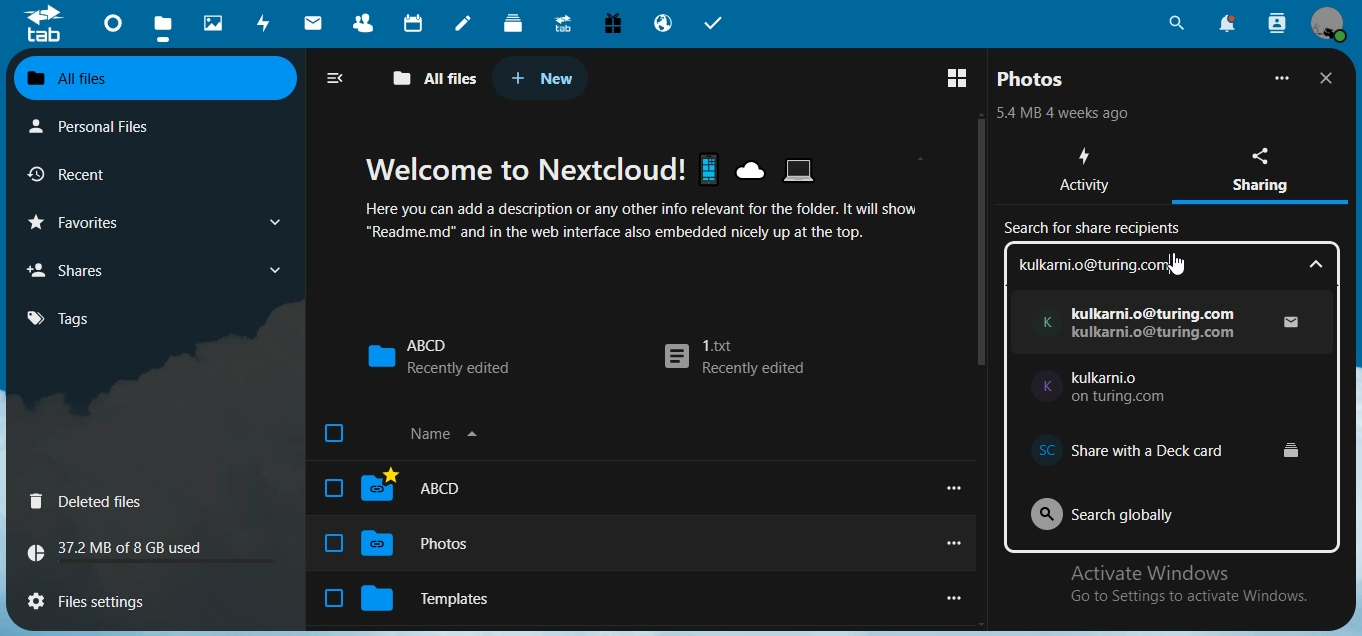 Image resolution: width=1362 pixels, height=636 pixels. I want to click on favourites, so click(152, 222).